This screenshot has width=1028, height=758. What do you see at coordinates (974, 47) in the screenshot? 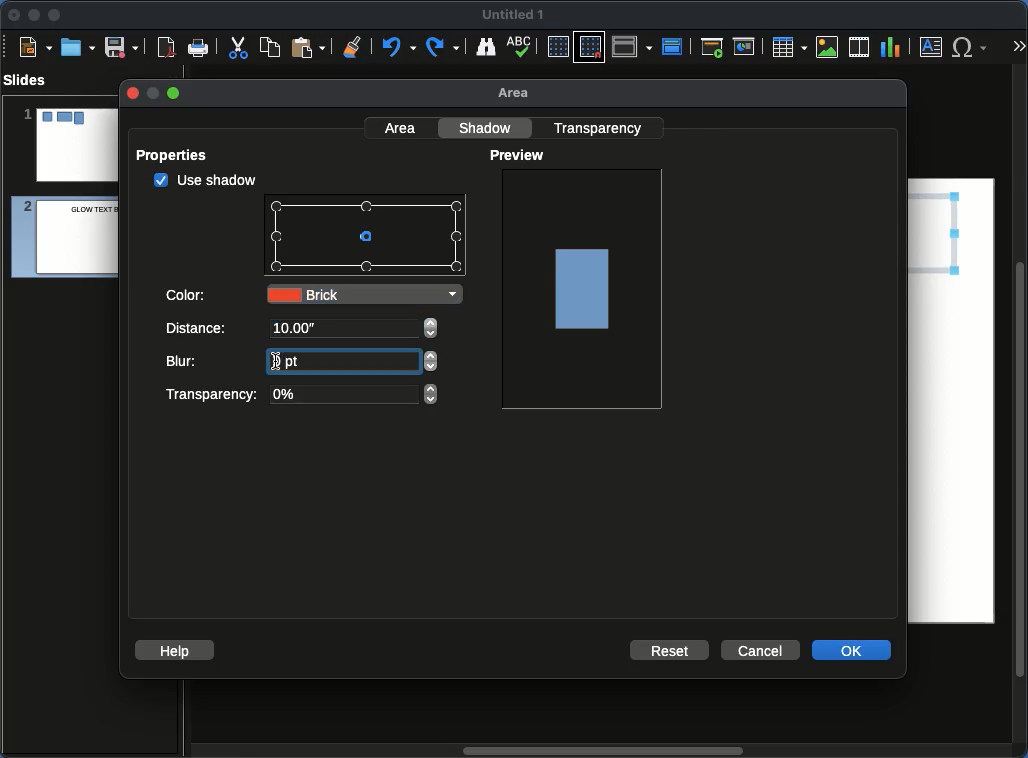
I see `Special characters` at bounding box center [974, 47].